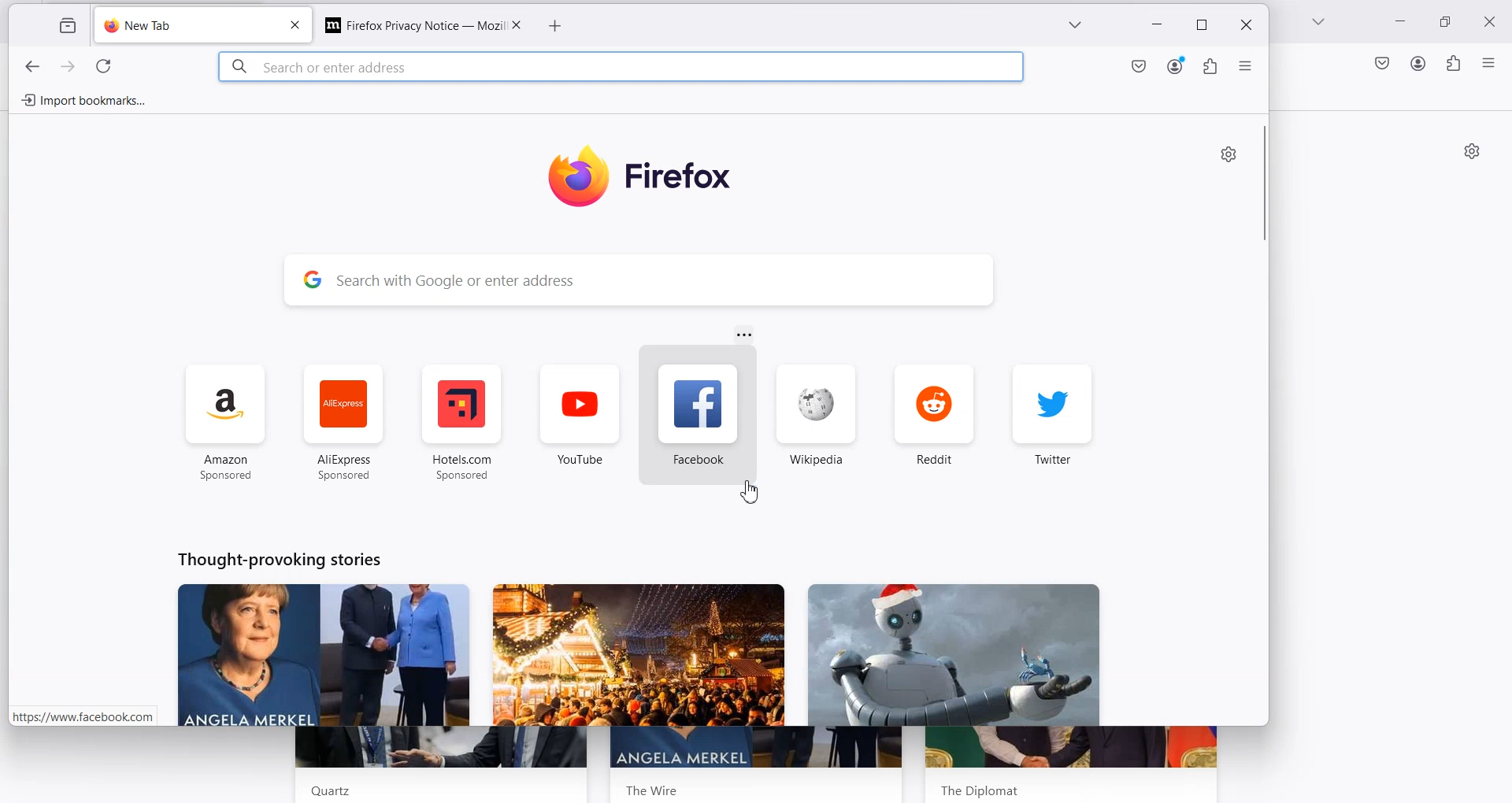 The height and width of the screenshot is (803, 1512). Describe the element at coordinates (1490, 62) in the screenshot. I see `Open Application menu` at that location.